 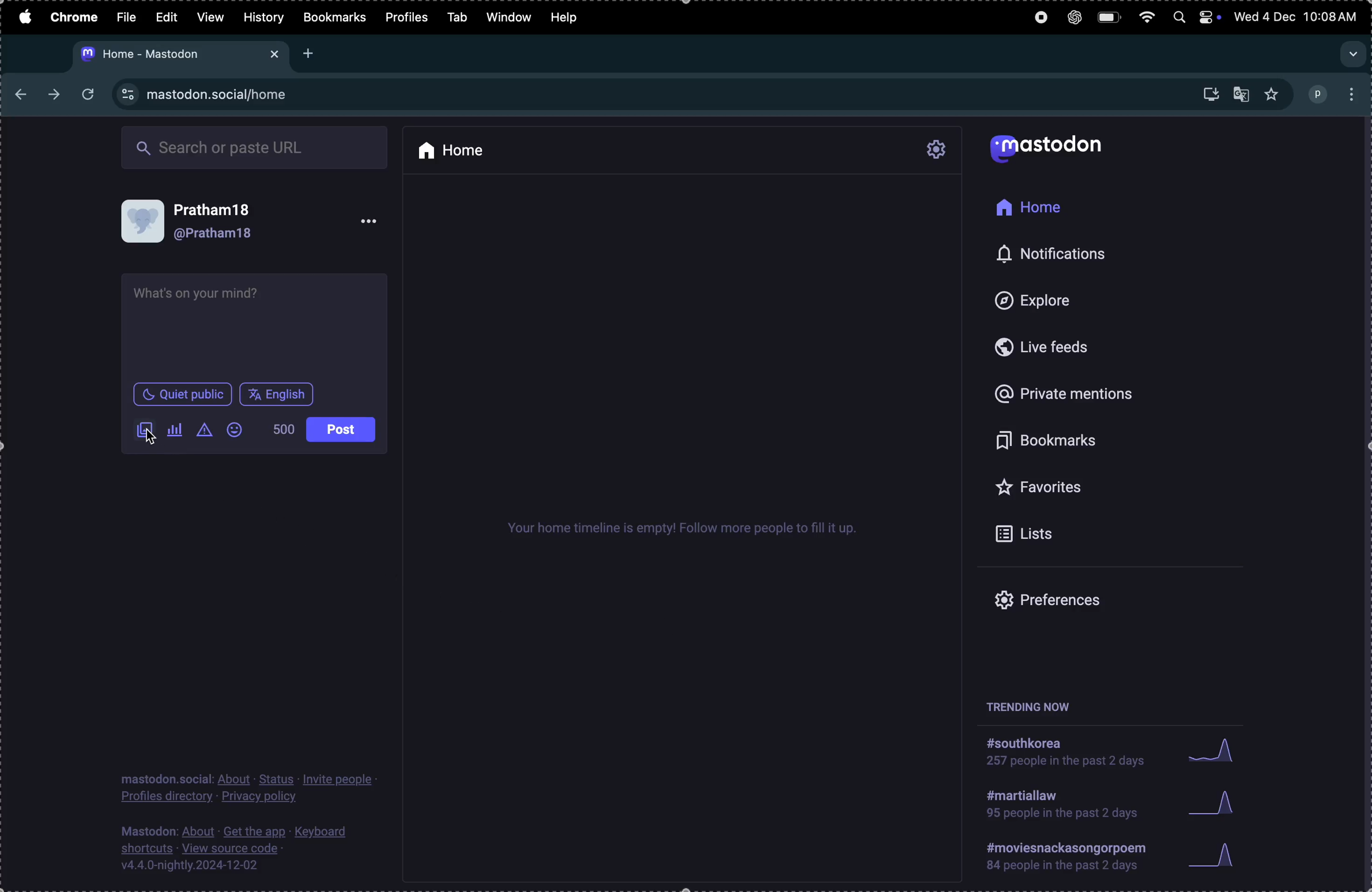 What do you see at coordinates (685, 528) in the screenshot?
I see `timeline empty` at bounding box center [685, 528].